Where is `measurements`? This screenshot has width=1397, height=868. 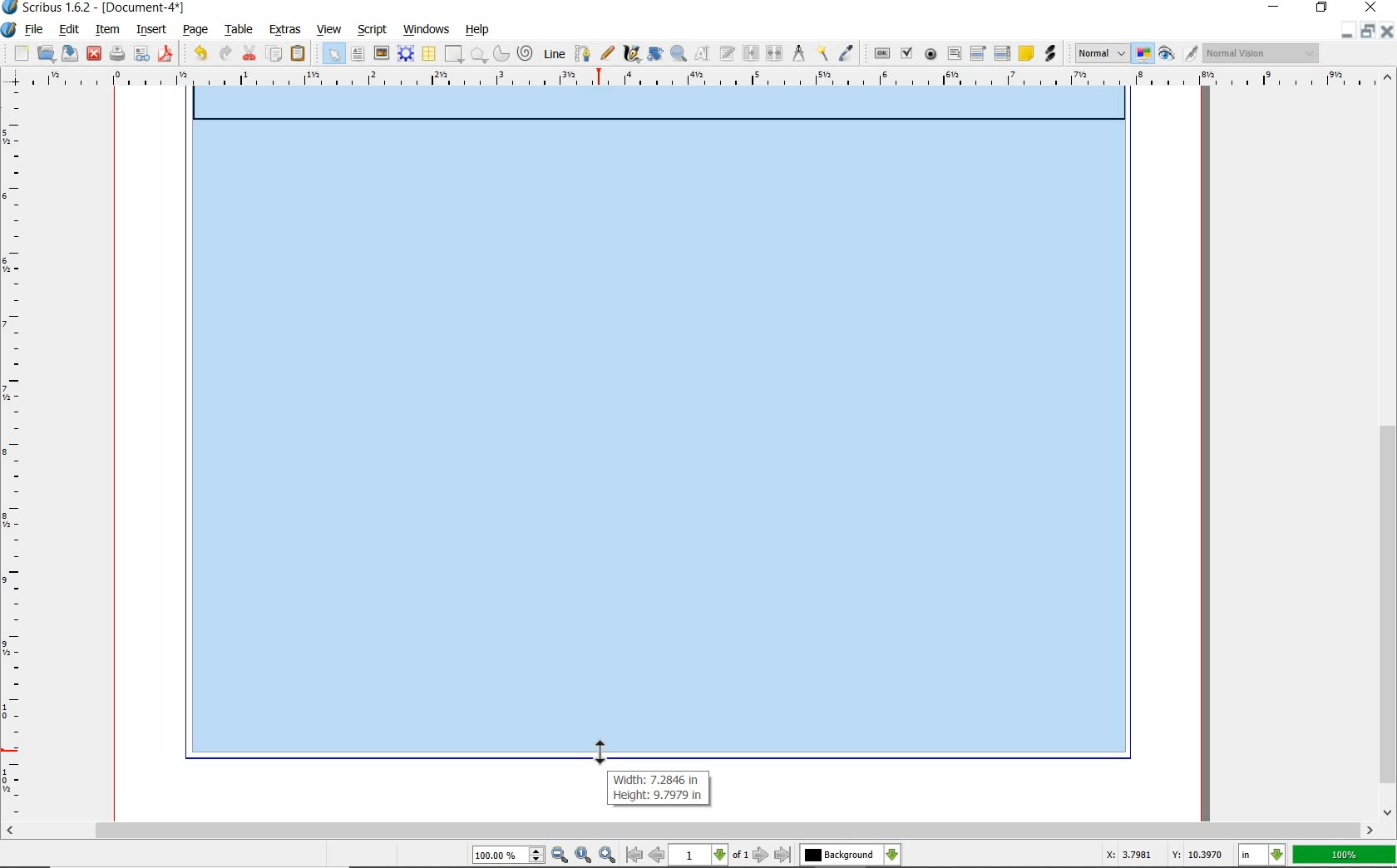
measurements is located at coordinates (798, 54).